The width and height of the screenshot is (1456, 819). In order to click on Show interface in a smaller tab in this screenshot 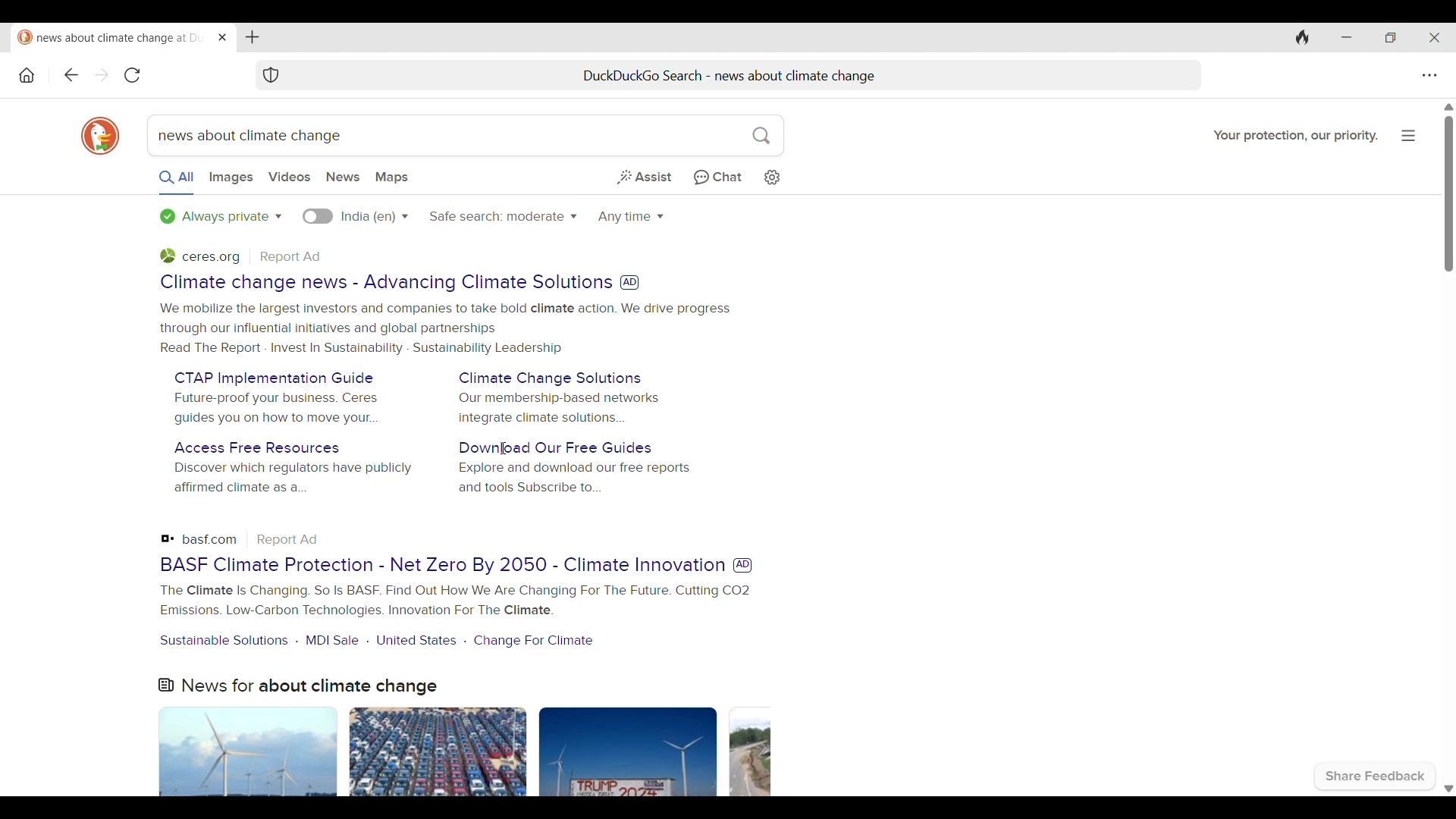, I will do `click(1391, 38)`.